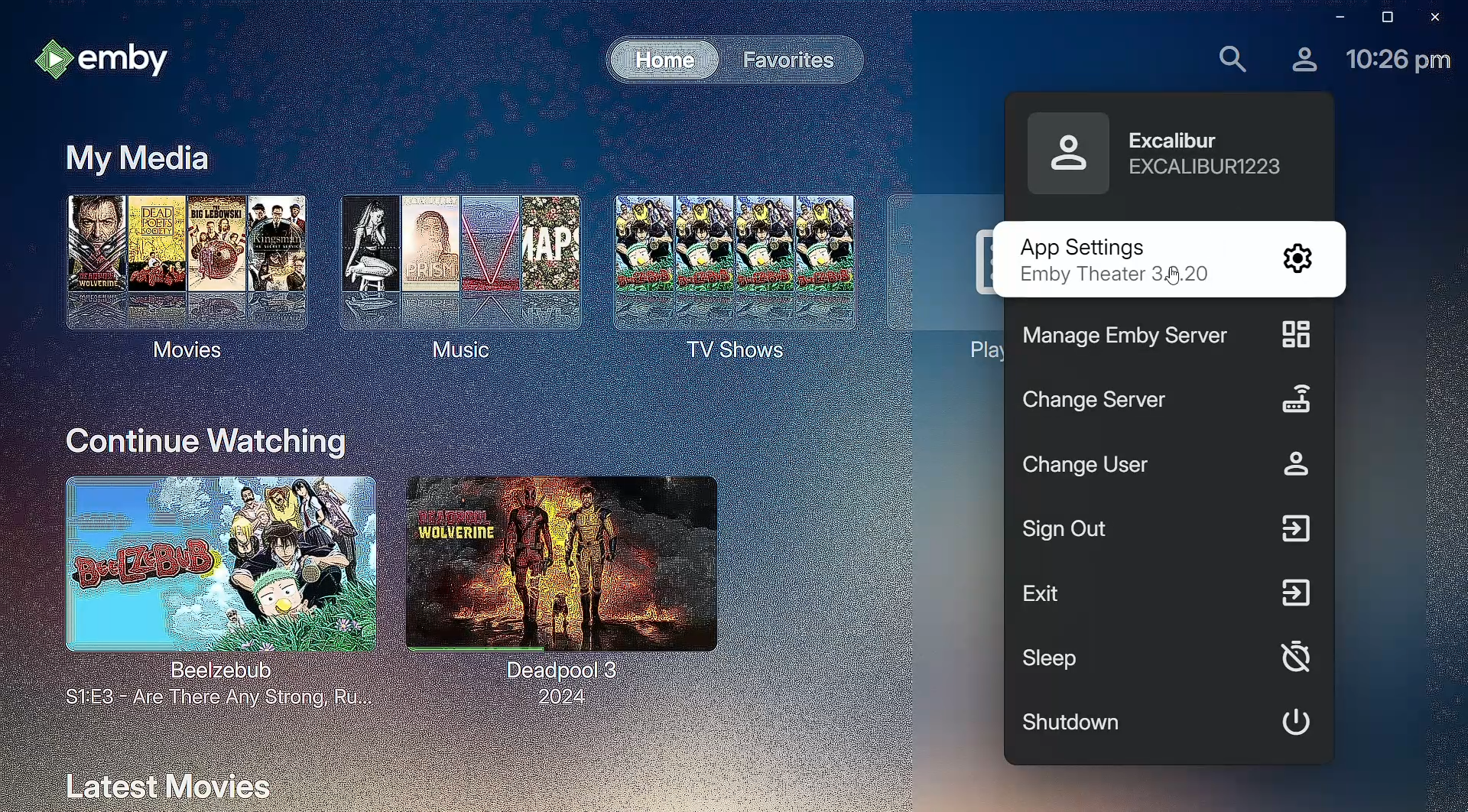  Describe the element at coordinates (1333, 16) in the screenshot. I see `Minimize` at that location.